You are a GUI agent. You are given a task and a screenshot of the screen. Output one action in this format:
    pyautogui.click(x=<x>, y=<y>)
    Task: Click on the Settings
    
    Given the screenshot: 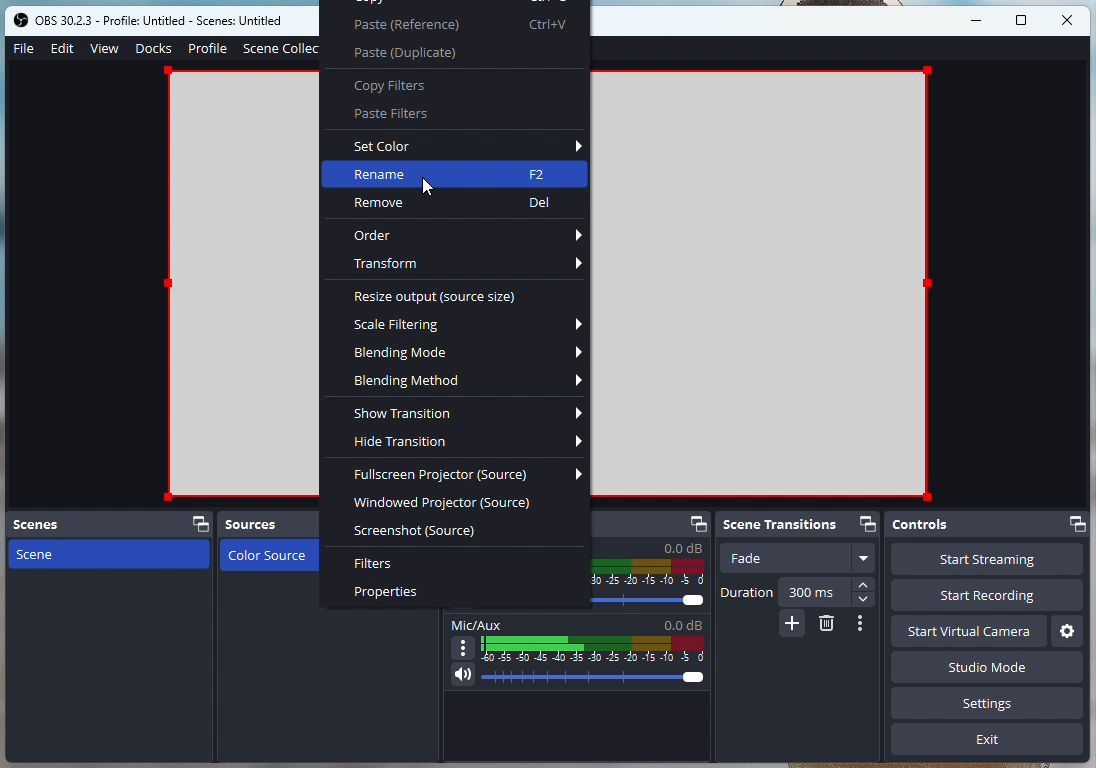 What is the action you would take?
    pyautogui.click(x=991, y=706)
    